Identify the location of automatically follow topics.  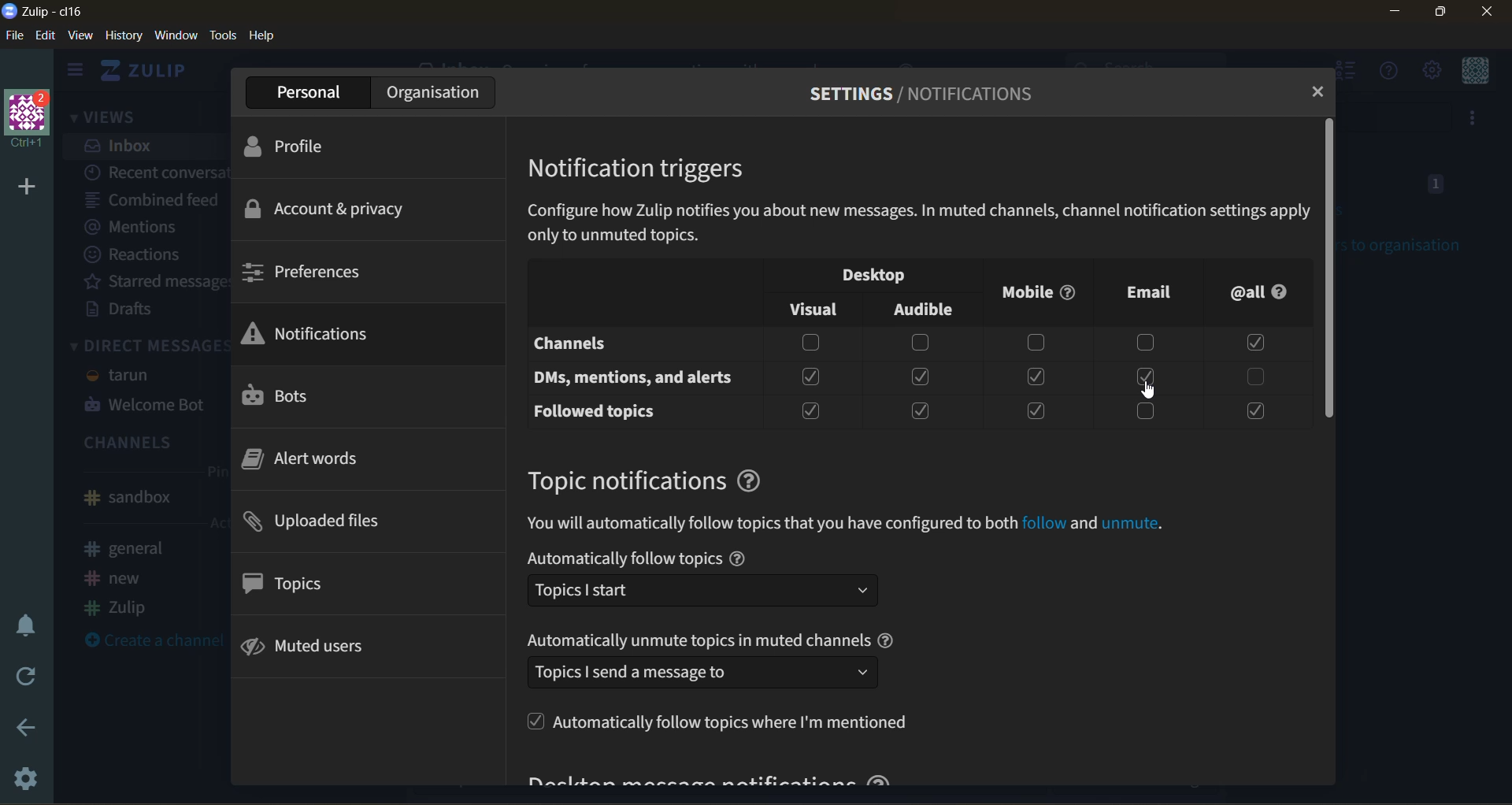
(717, 581).